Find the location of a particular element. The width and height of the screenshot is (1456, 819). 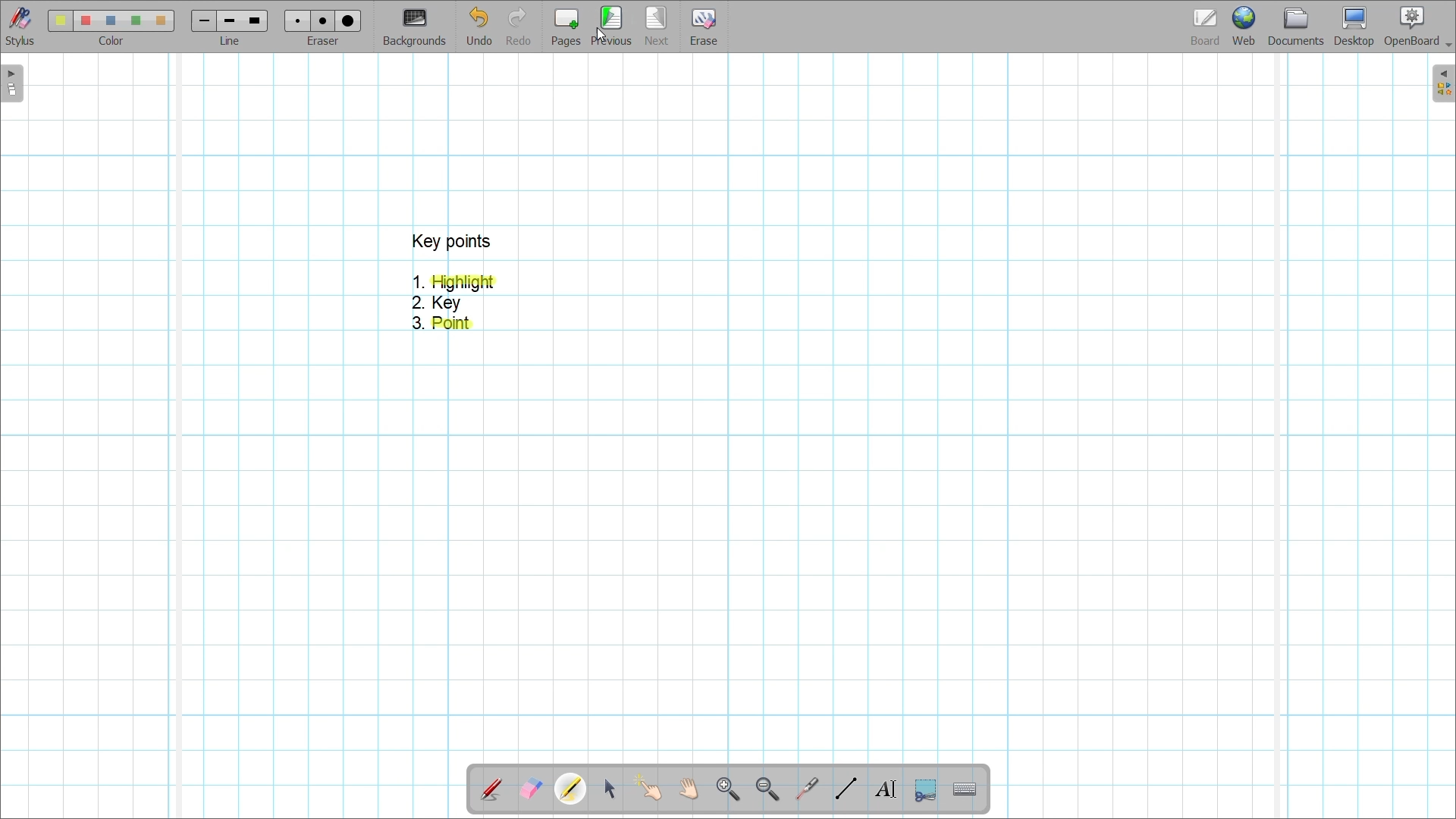

Go to previous page is located at coordinates (611, 26).